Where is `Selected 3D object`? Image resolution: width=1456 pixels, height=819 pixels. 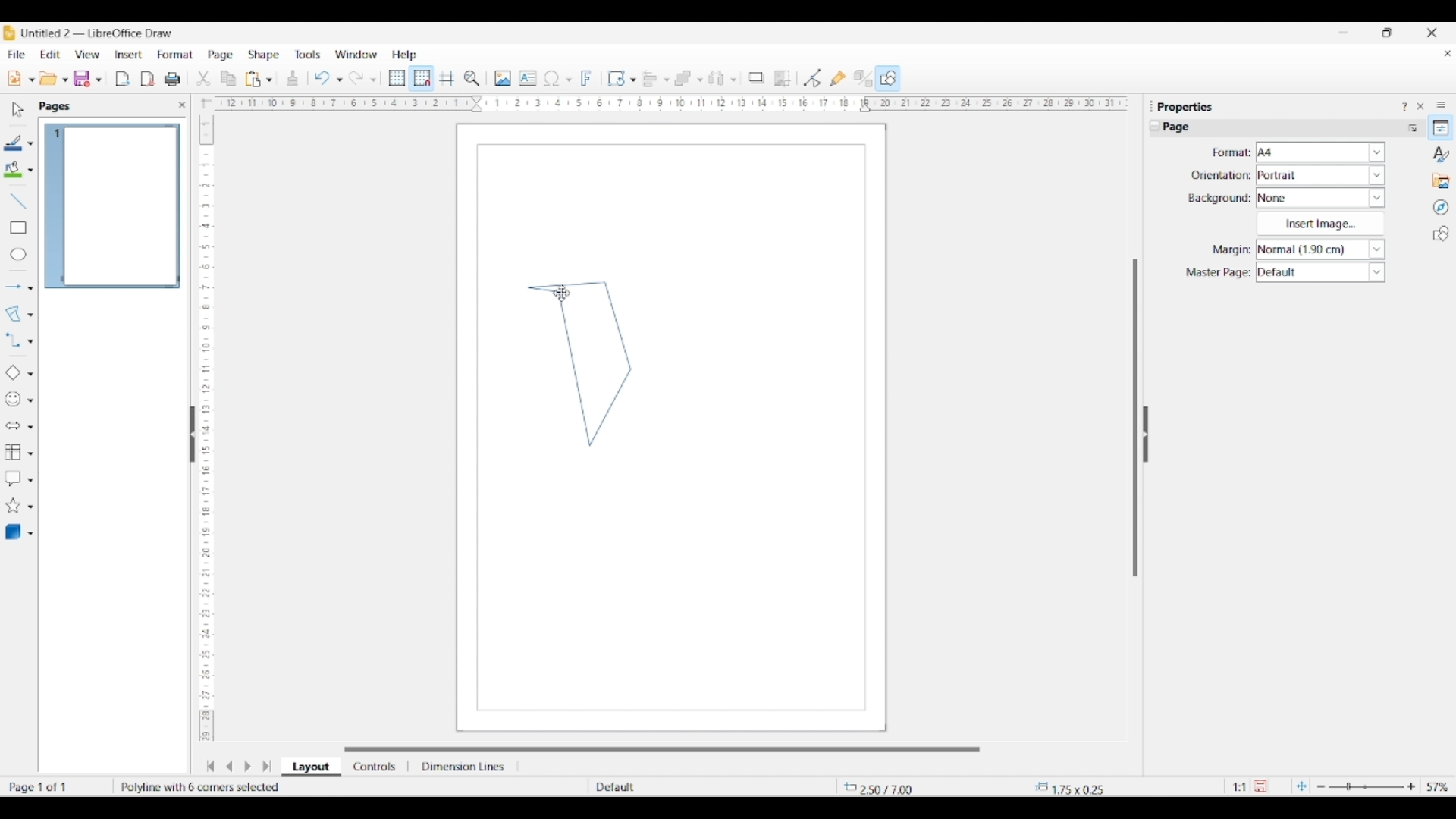 Selected 3D object is located at coordinates (13, 532).